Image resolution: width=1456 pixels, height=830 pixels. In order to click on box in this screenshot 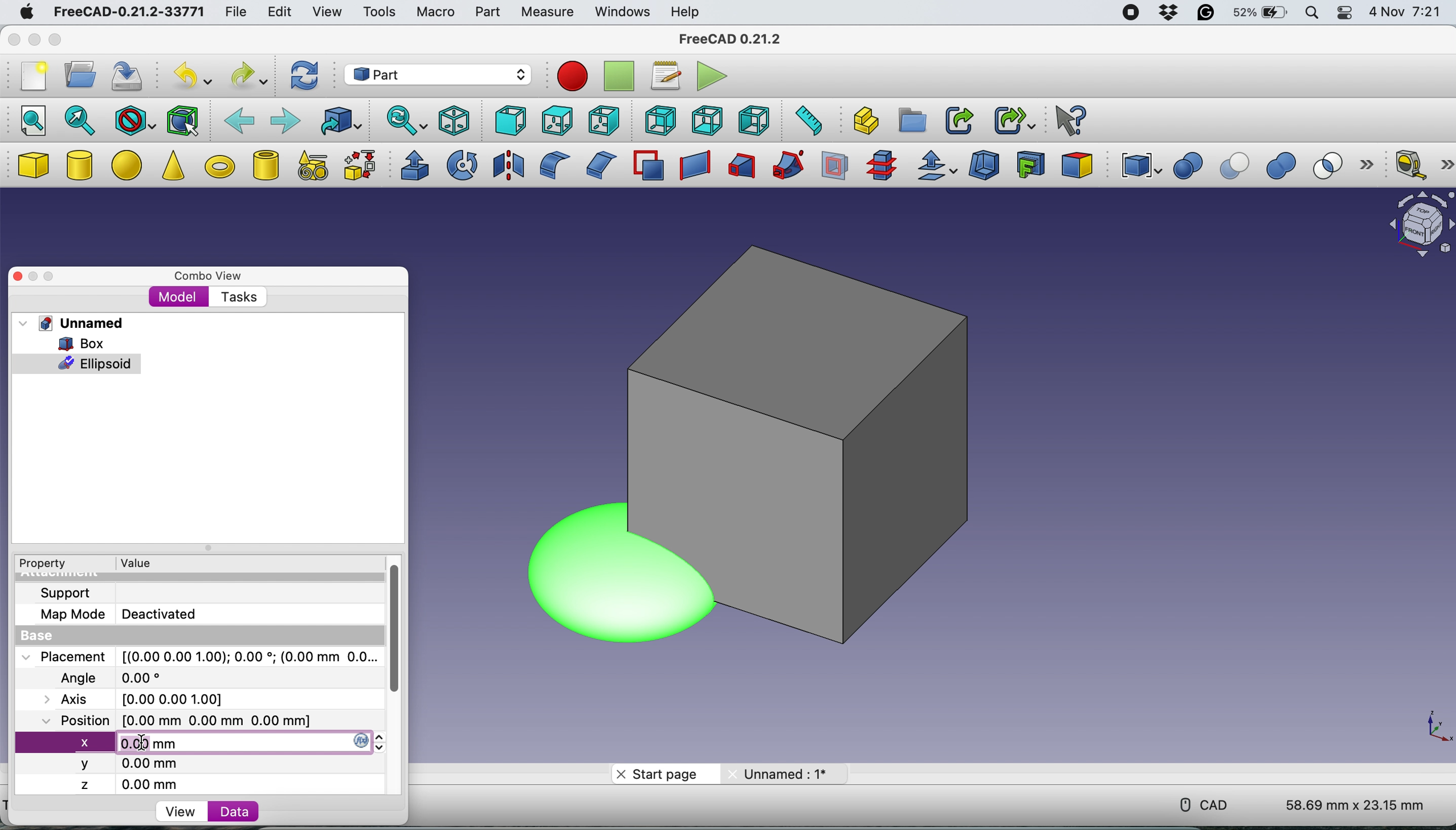, I will do `click(32, 166)`.